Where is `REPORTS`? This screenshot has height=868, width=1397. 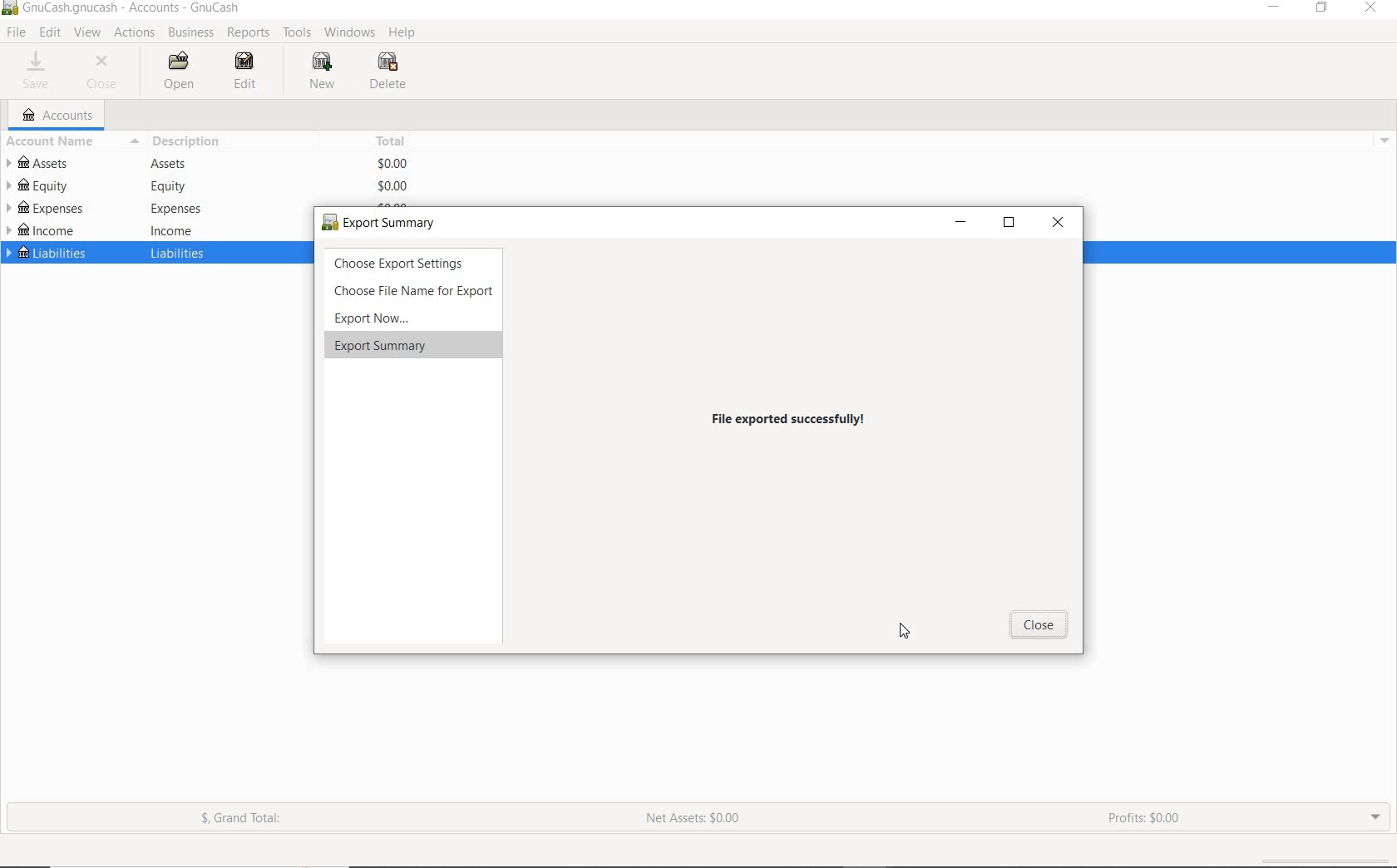 REPORTS is located at coordinates (249, 33).